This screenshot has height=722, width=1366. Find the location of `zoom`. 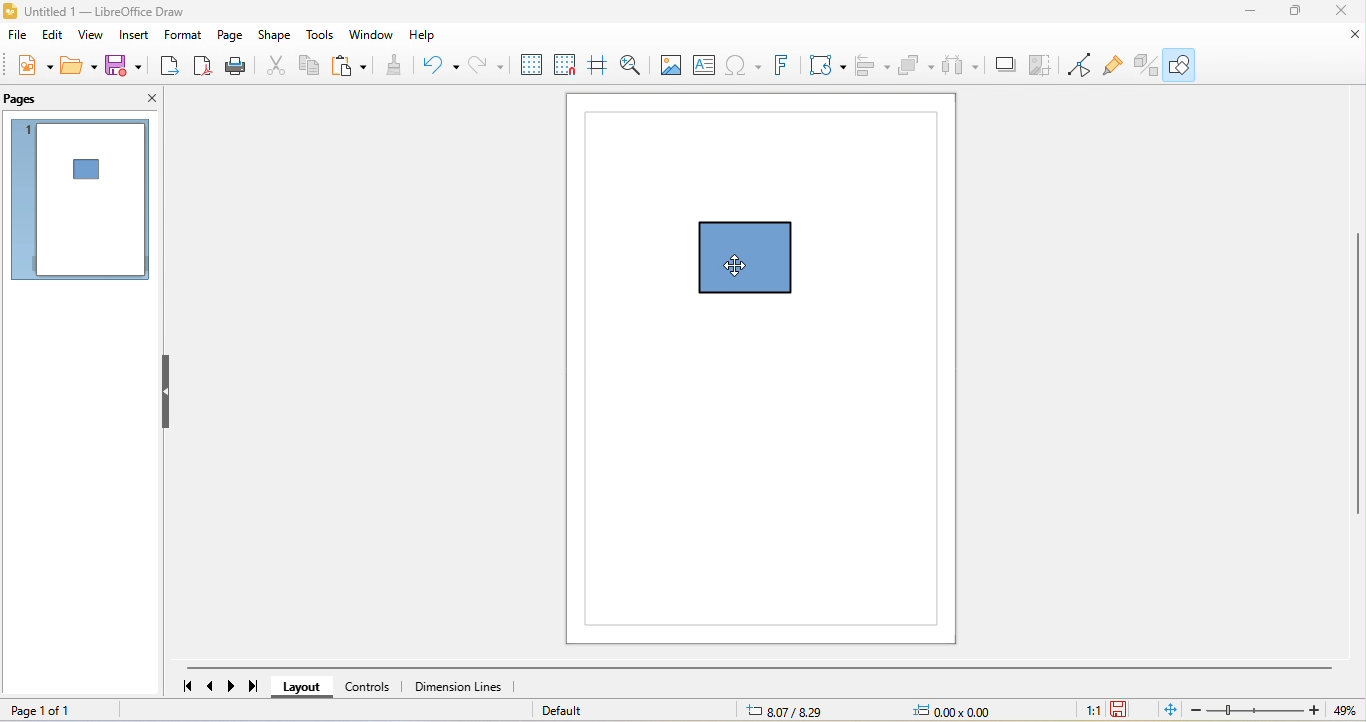

zoom is located at coordinates (1274, 711).